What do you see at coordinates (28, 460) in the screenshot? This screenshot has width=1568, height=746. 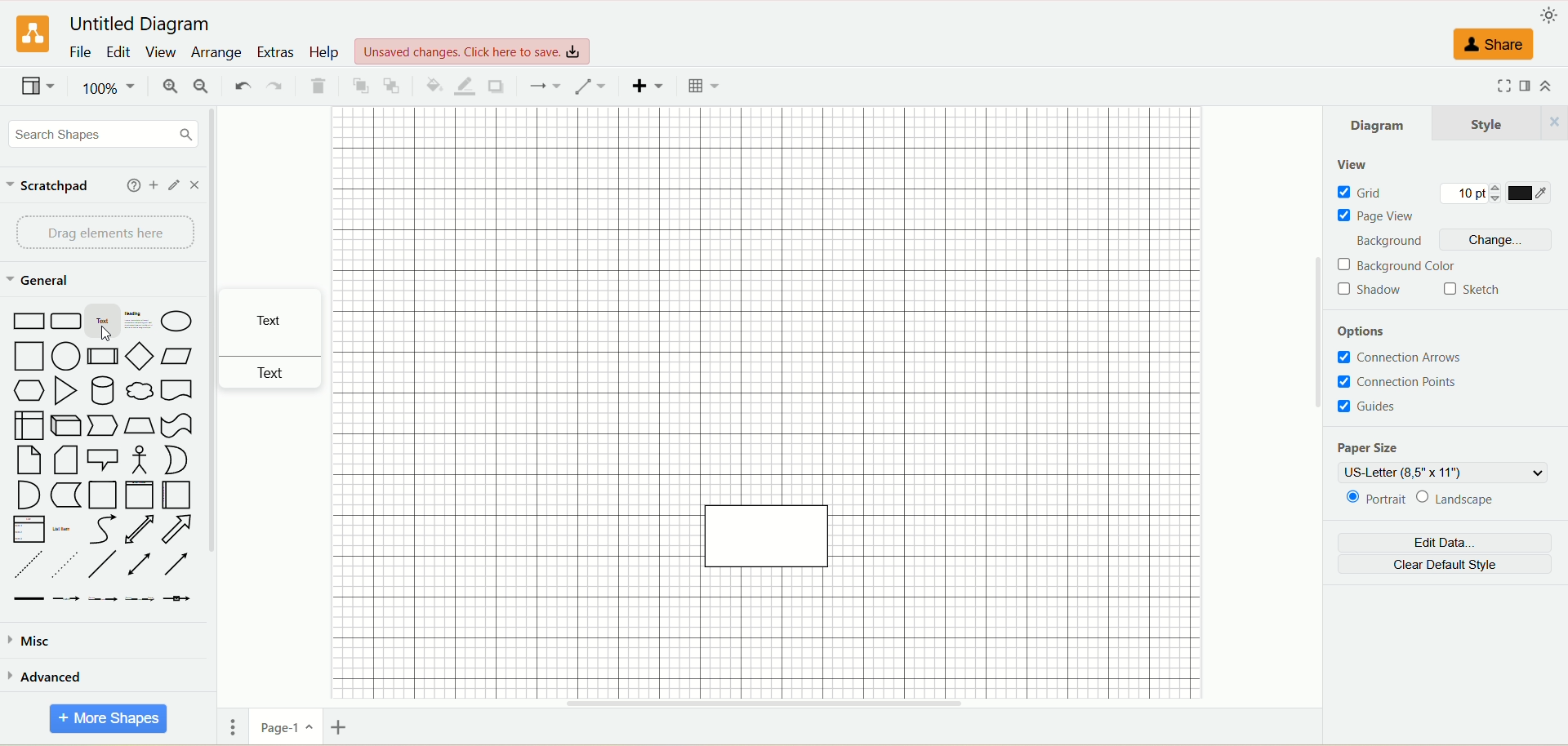 I see `note` at bounding box center [28, 460].